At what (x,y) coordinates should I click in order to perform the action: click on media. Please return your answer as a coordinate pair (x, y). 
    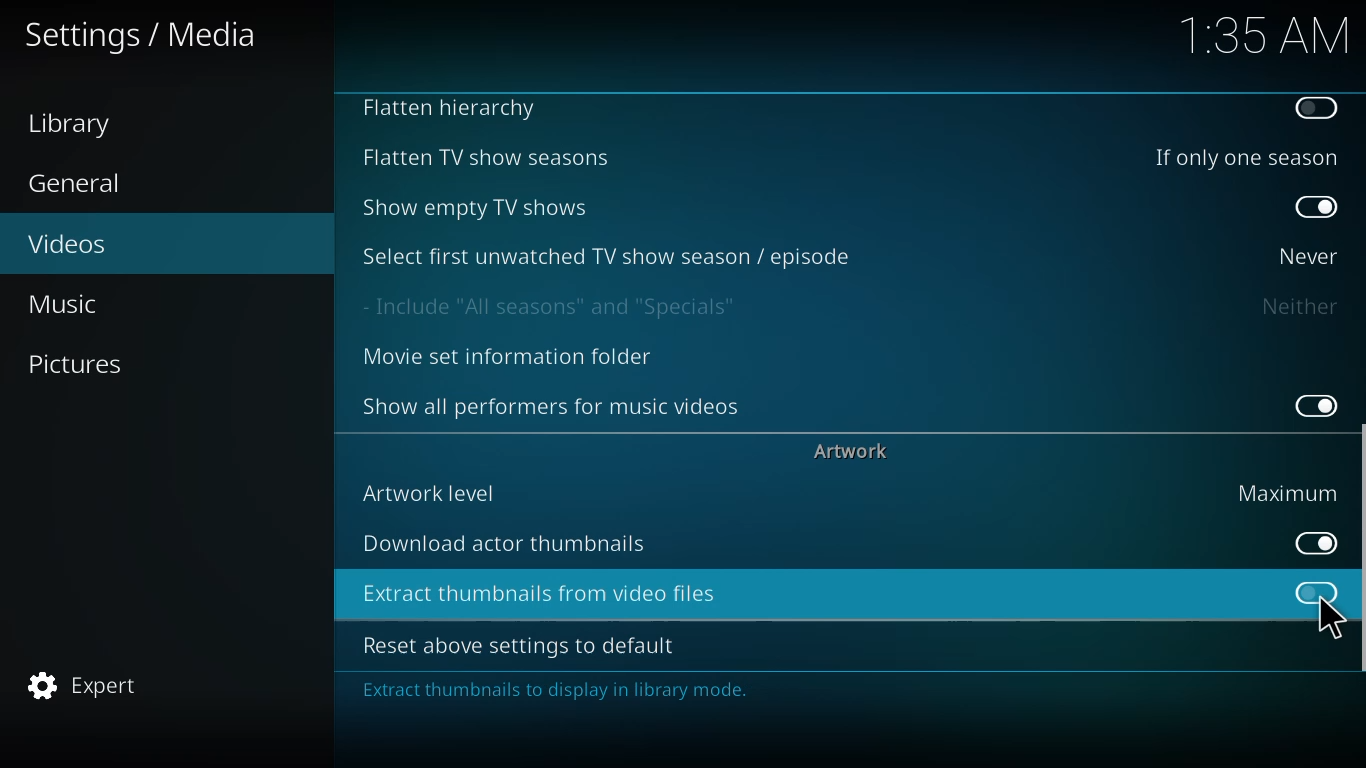
    Looking at the image, I should click on (143, 37).